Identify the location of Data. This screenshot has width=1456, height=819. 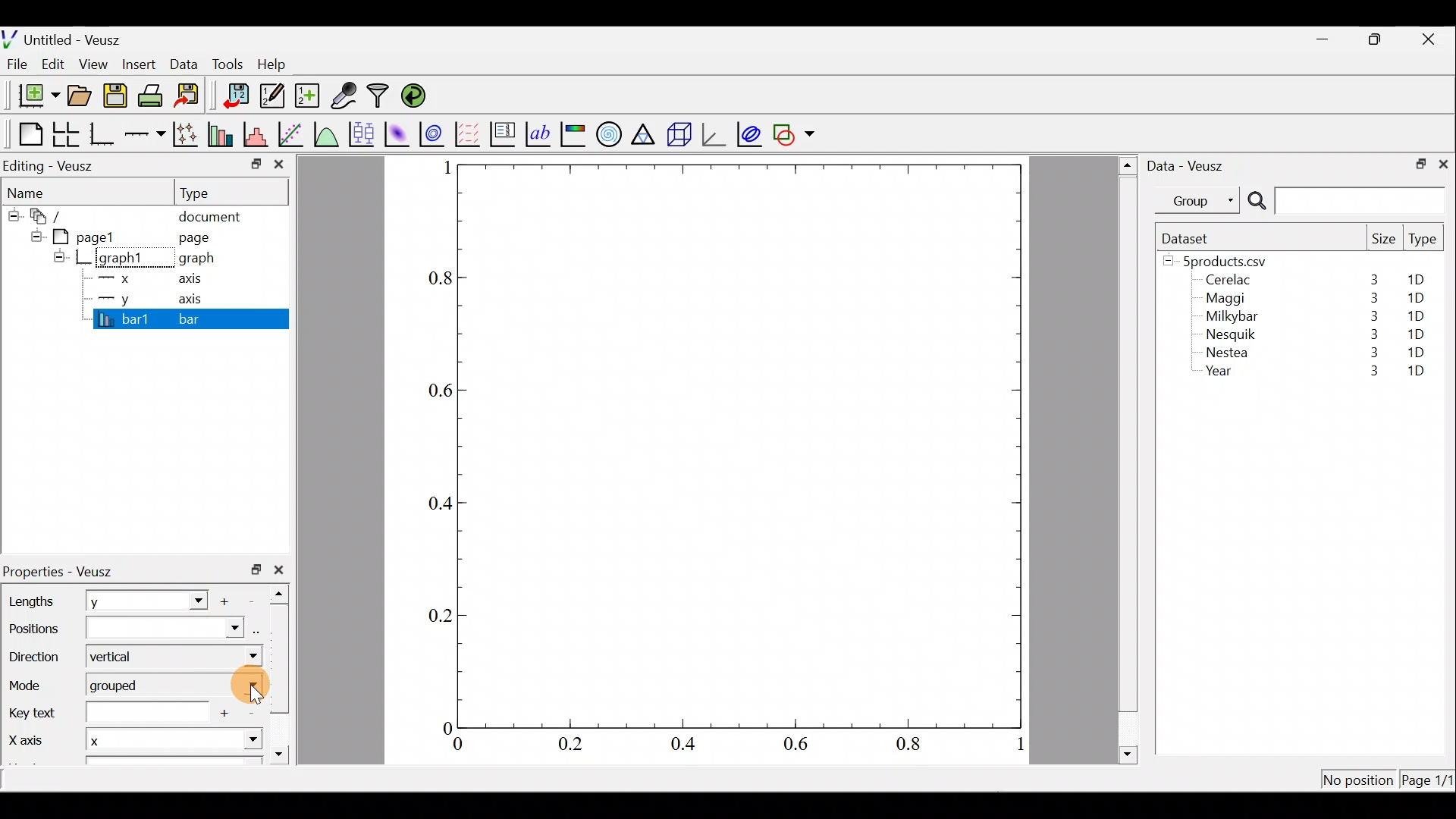
(184, 63).